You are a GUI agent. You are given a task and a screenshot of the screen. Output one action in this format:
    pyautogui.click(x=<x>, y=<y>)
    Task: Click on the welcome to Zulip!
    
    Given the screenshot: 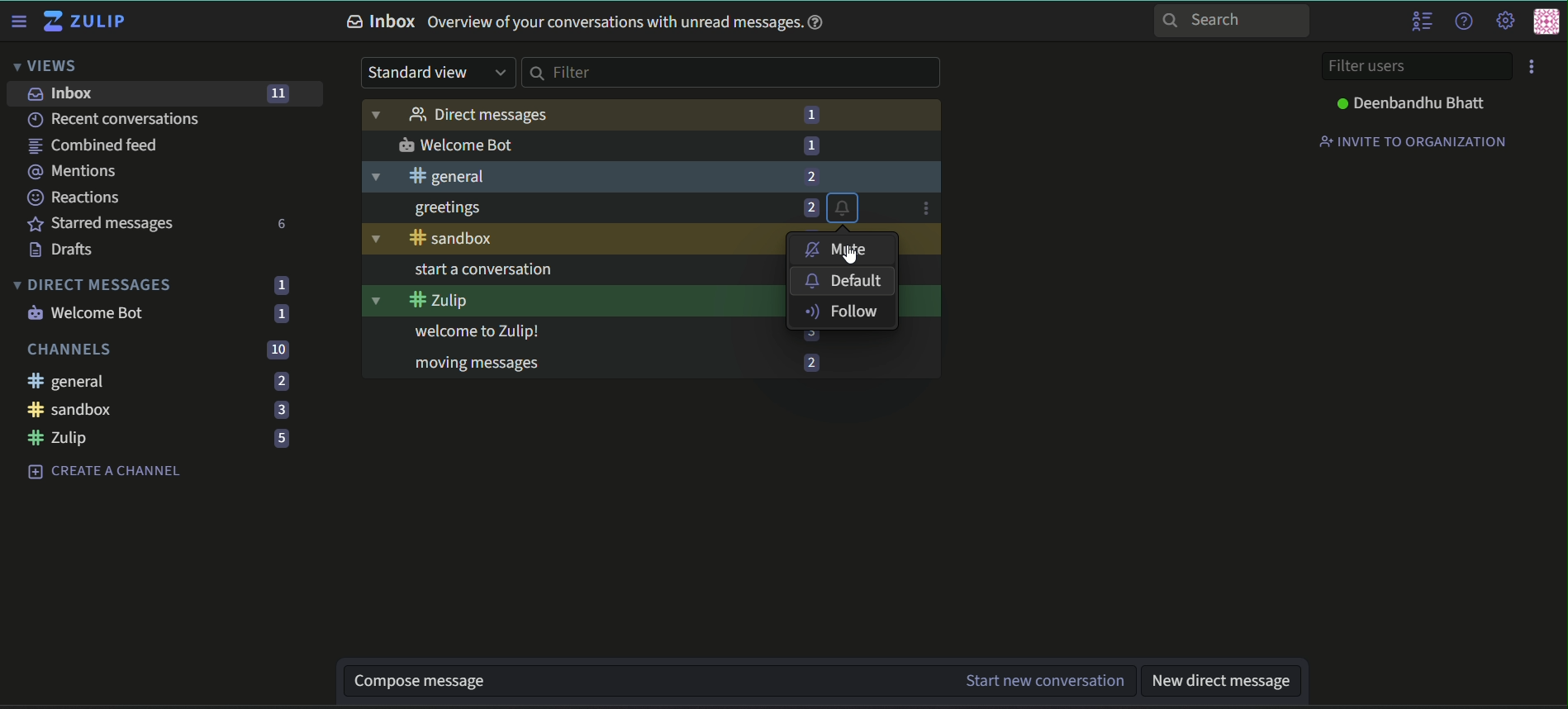 What is the action you would take?
    pyautogui.click(x=593, y=331)
    